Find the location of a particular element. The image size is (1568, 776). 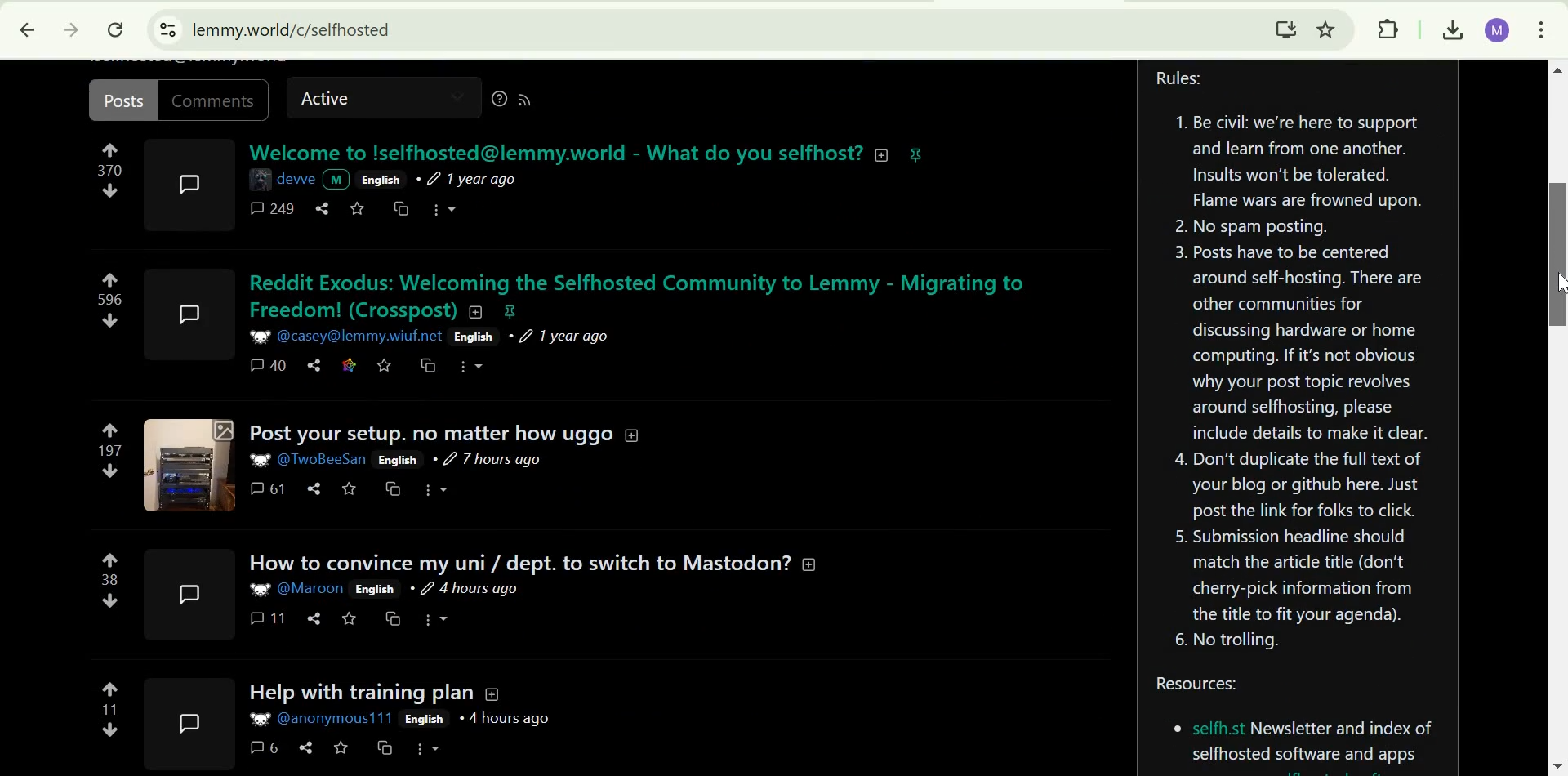

share is located at coordinates (315, 618).